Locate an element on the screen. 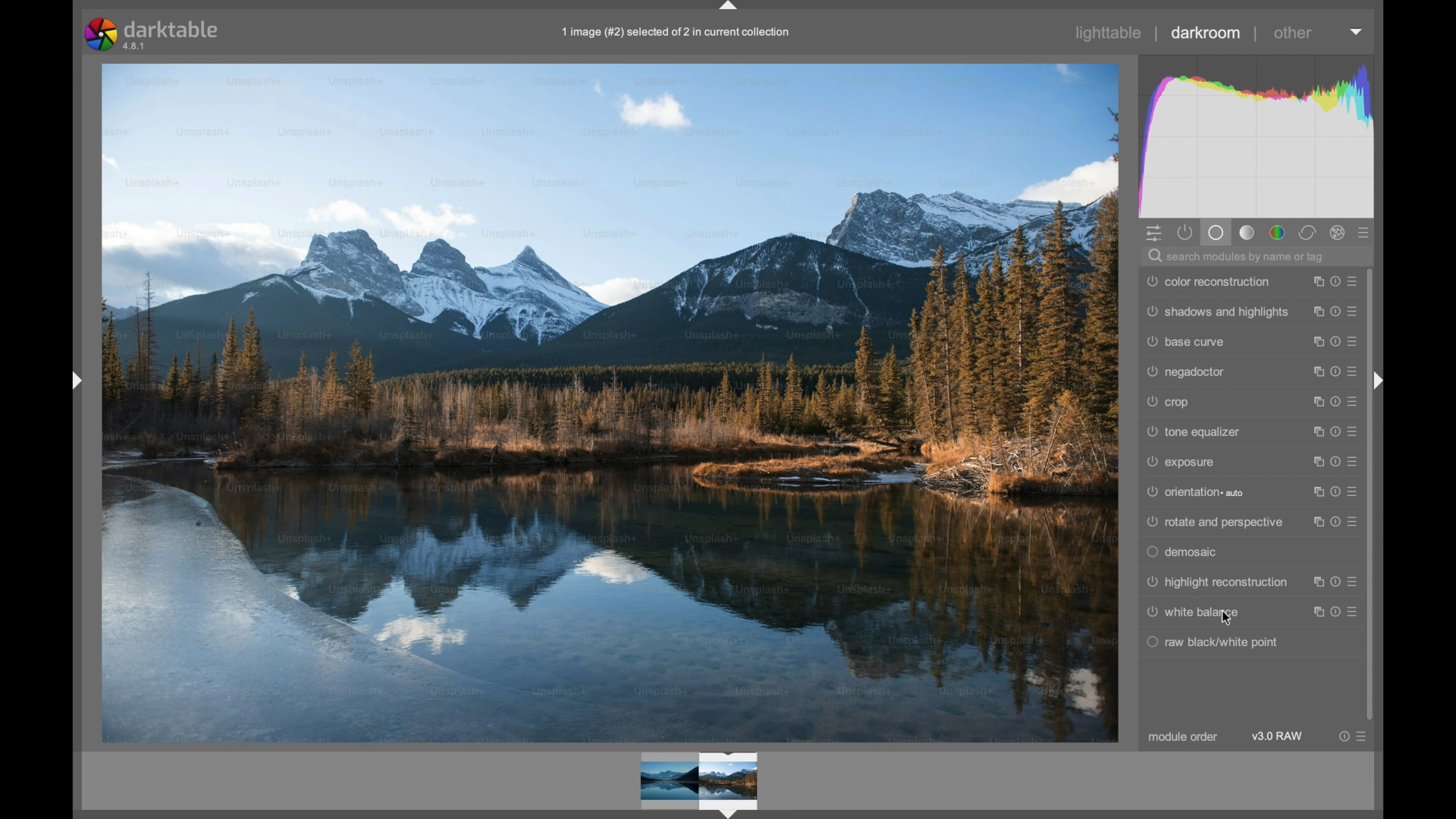 The height and width of the screenshot is (819, 1456). color reconstruction is located at coordinates (1207, 281).